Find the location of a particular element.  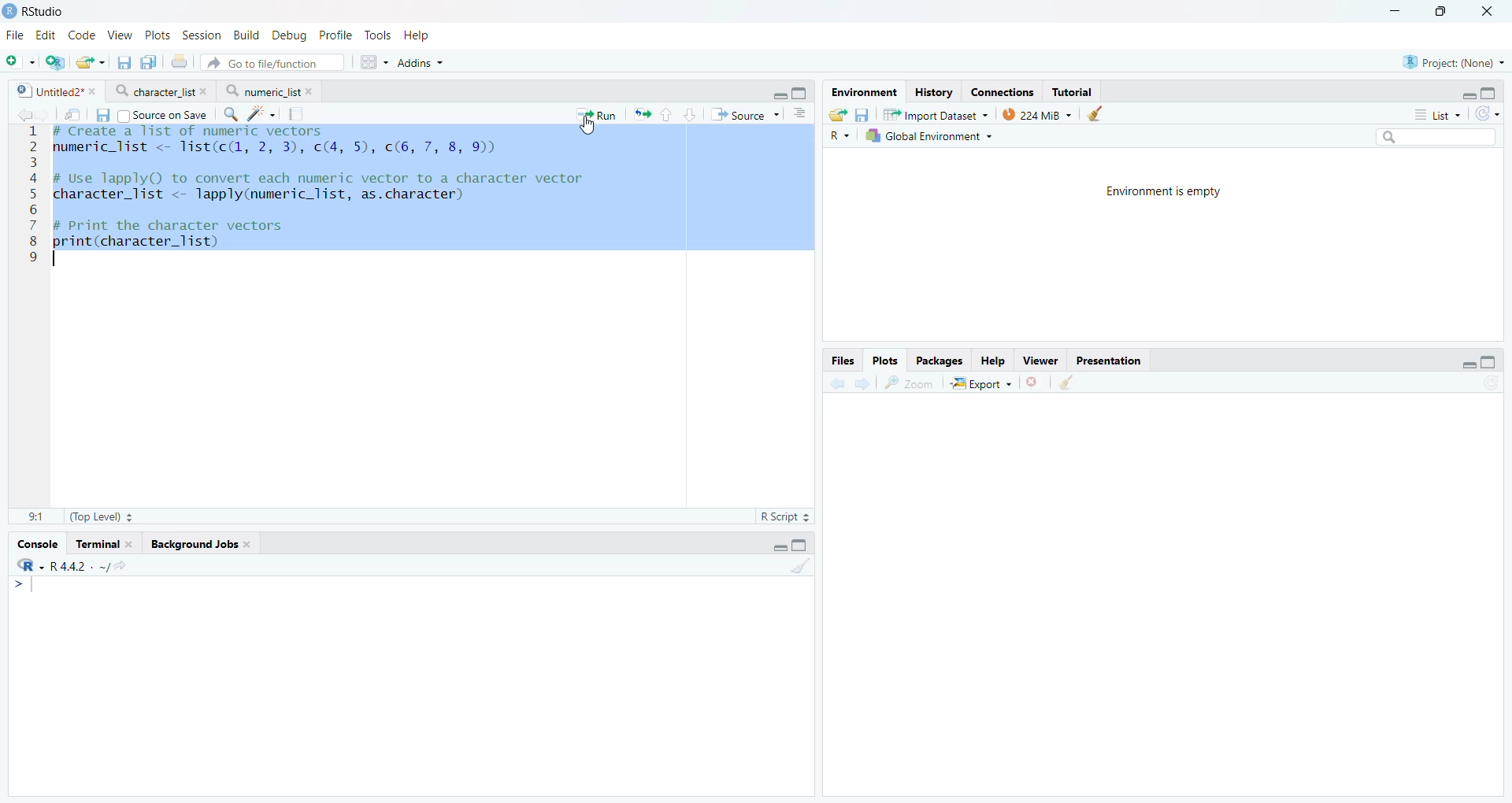

Save current file is located at coordinates (124, 62).